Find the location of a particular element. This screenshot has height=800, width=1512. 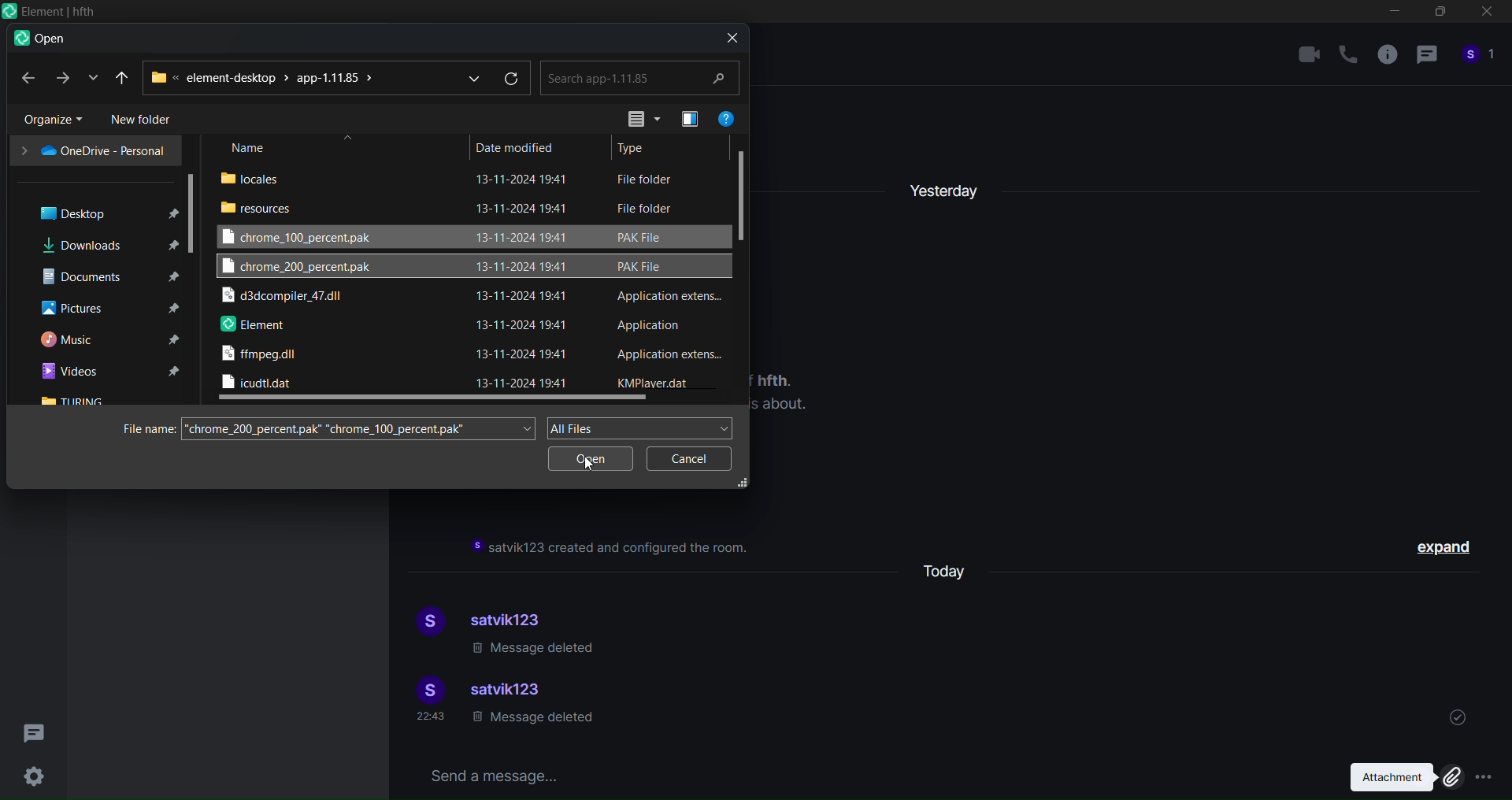

refresh is located at coordinates (513, 79).